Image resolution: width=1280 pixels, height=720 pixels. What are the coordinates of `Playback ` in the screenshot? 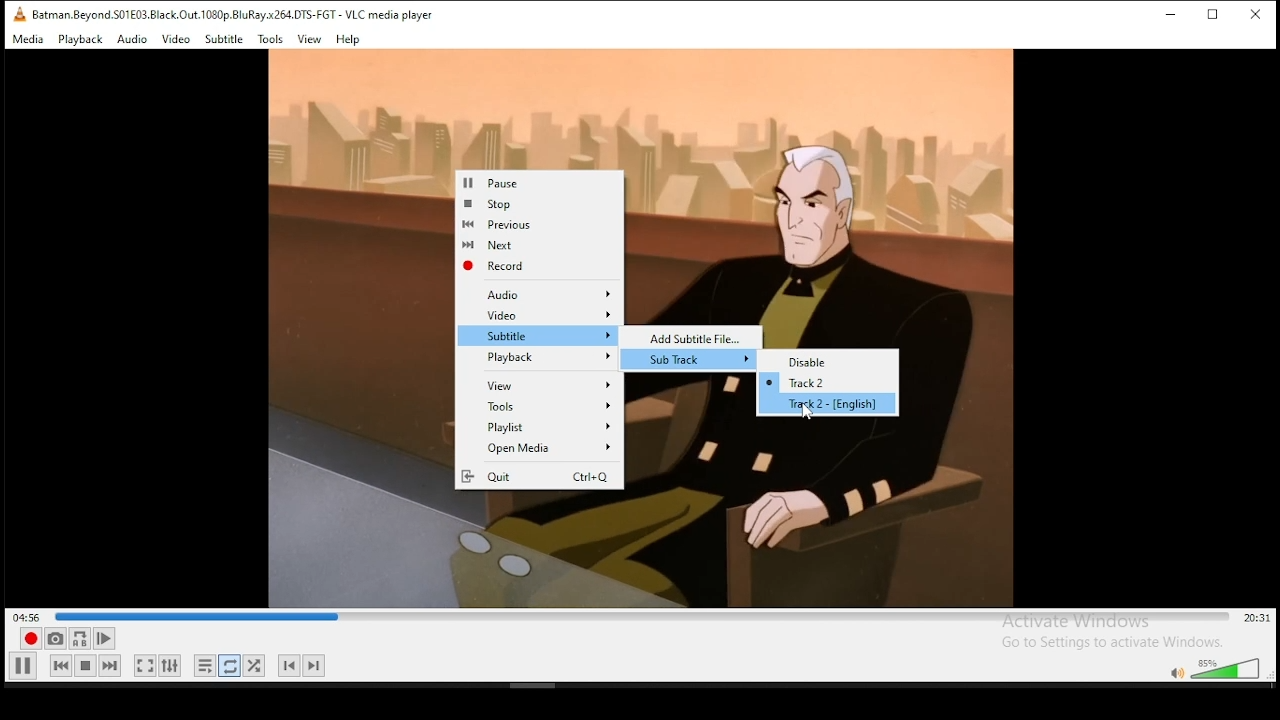 It's located at (542, 358).